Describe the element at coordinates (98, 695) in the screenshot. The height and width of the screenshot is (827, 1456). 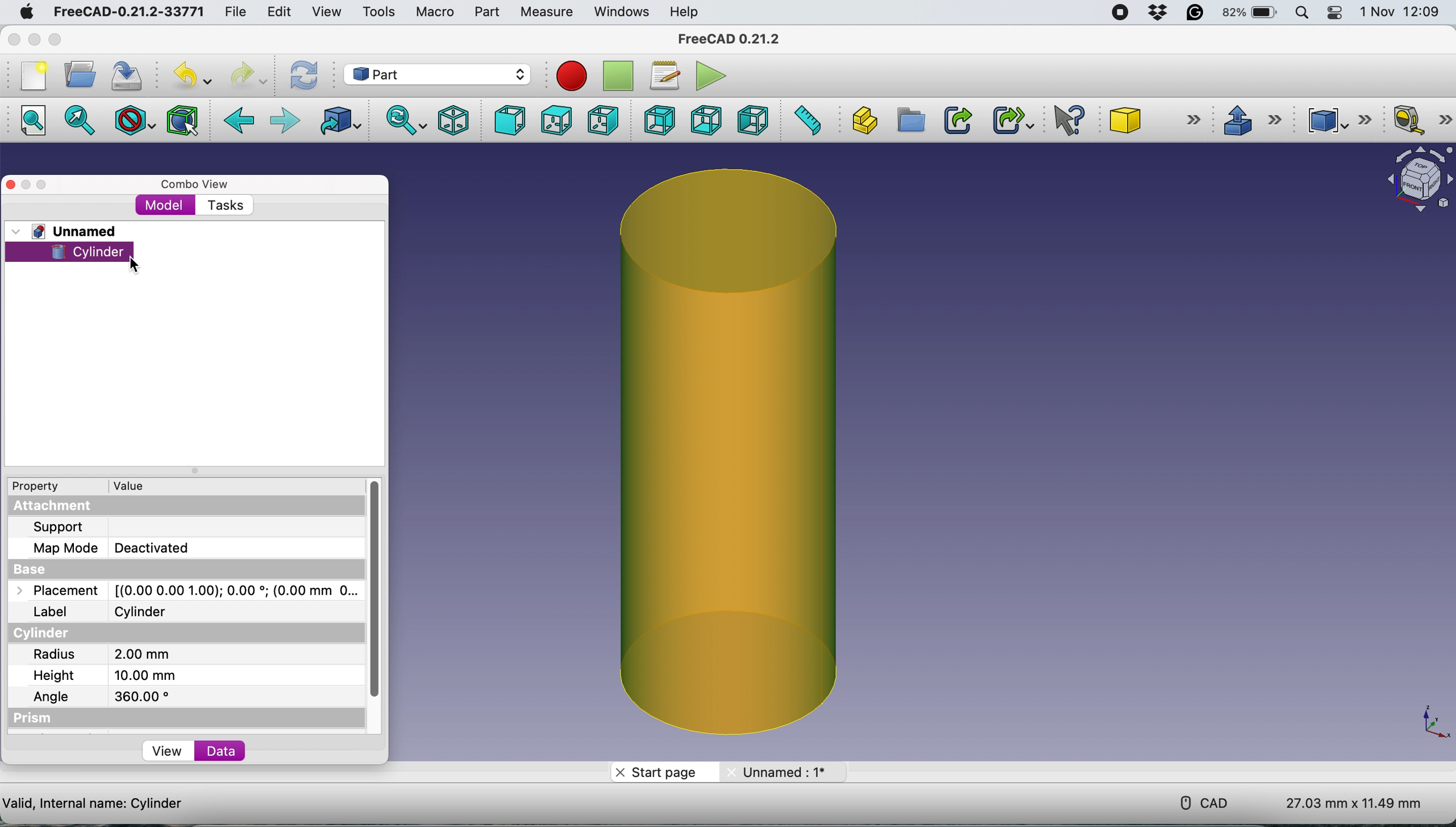
I see `angle` at that location.